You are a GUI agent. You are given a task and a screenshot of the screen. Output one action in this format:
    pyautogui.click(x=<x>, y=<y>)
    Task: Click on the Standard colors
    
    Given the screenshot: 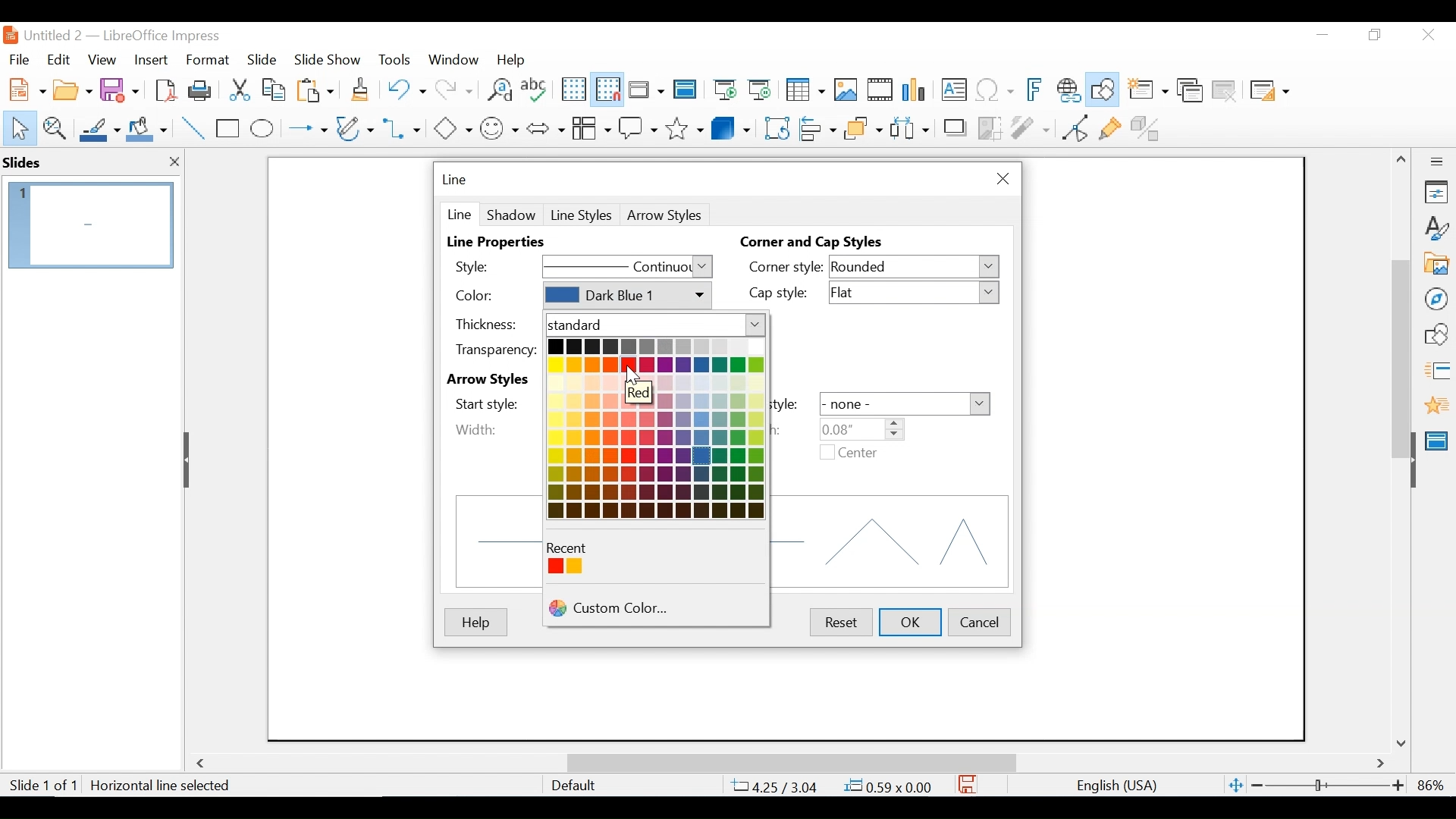 What is the action you would take?
    pyautogui.click(x=657, y=325)
    